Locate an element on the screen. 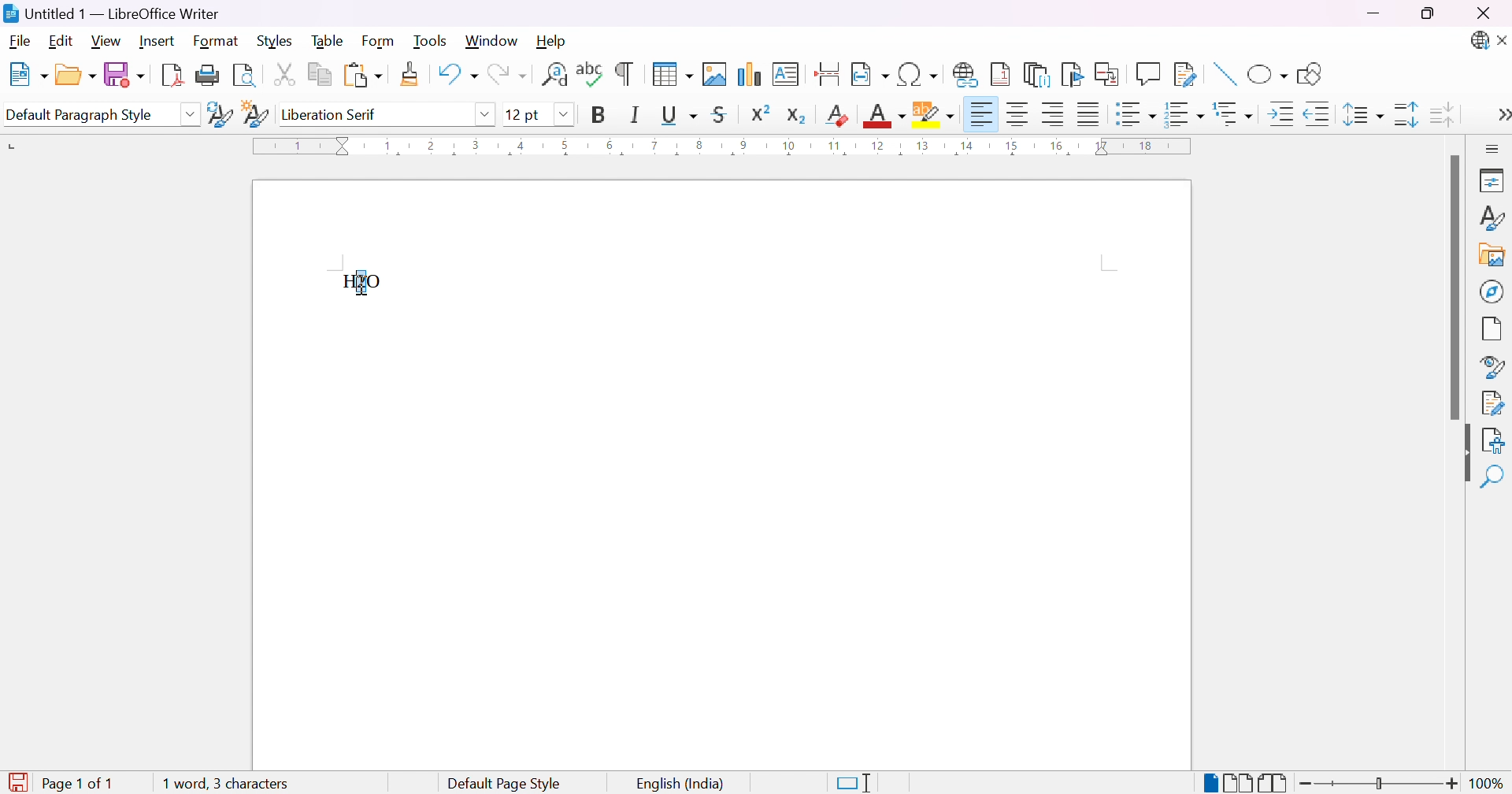 The height and width of the screenshot is (794, 1512). Scroll bar is located at coordinates (1453, 288).